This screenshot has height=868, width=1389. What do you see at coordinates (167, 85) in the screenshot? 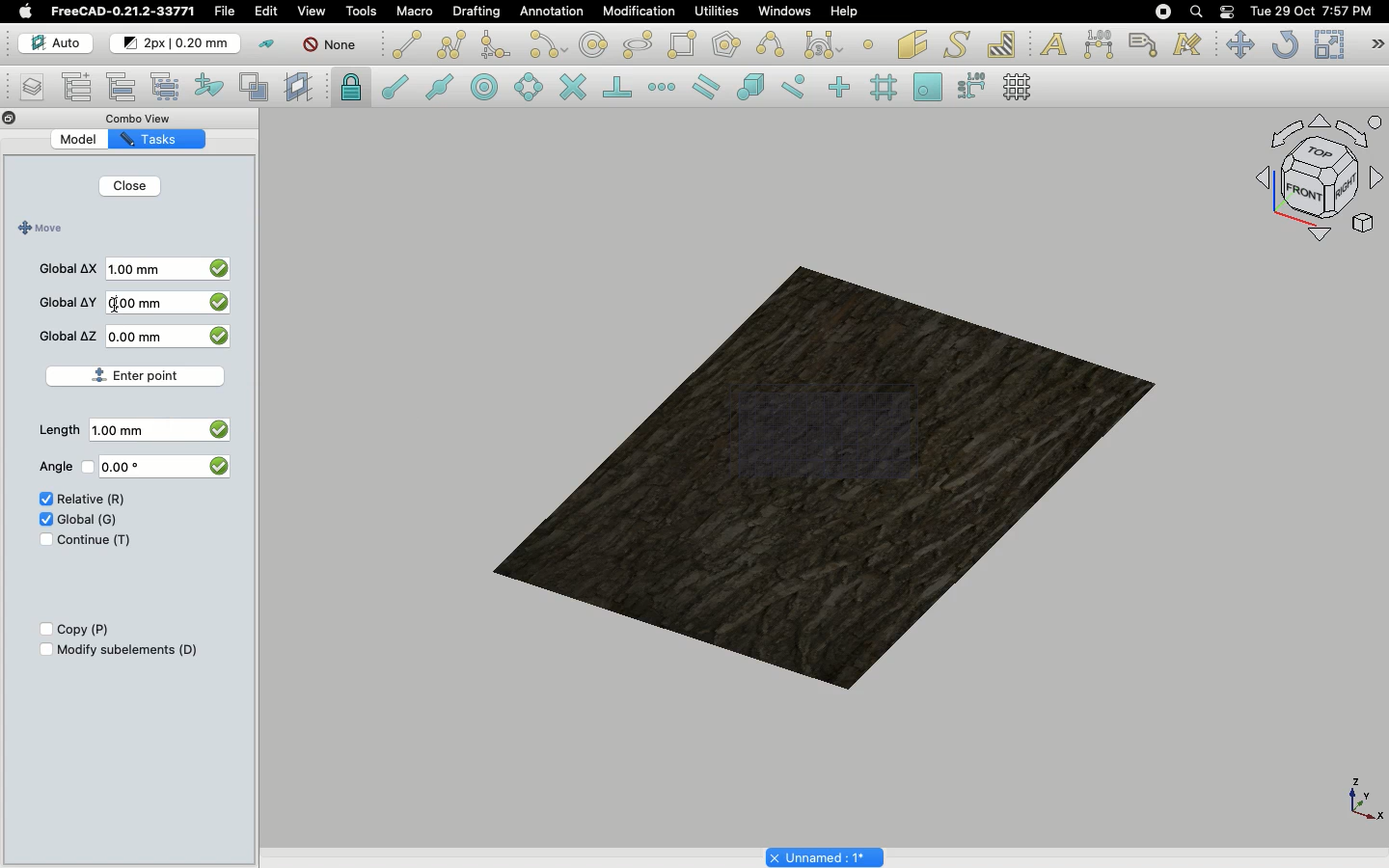
I see `Select group` at bounding box center [167, 85].